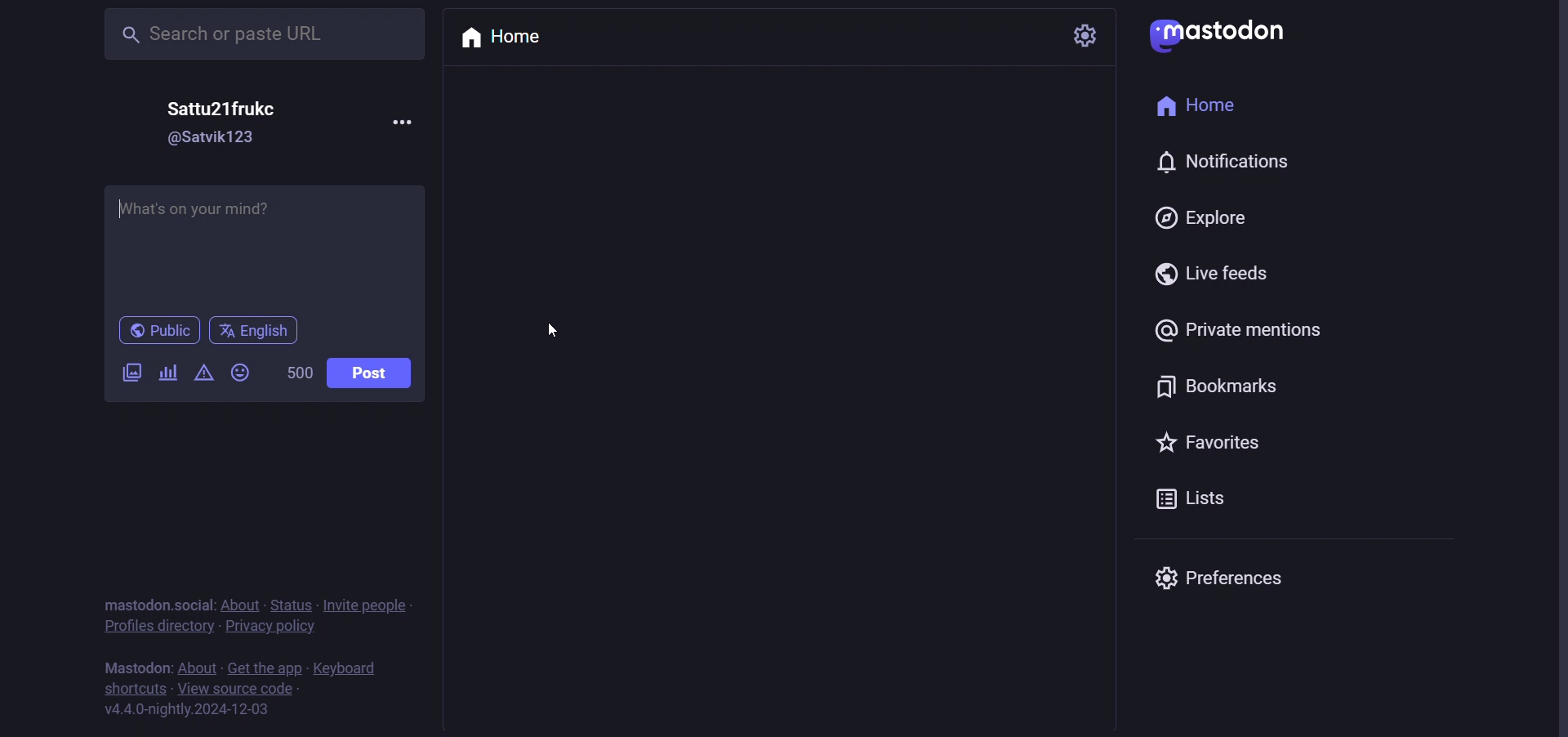 This screenshot has height=737, width=1568. I want to click on id, so click(212, 140).